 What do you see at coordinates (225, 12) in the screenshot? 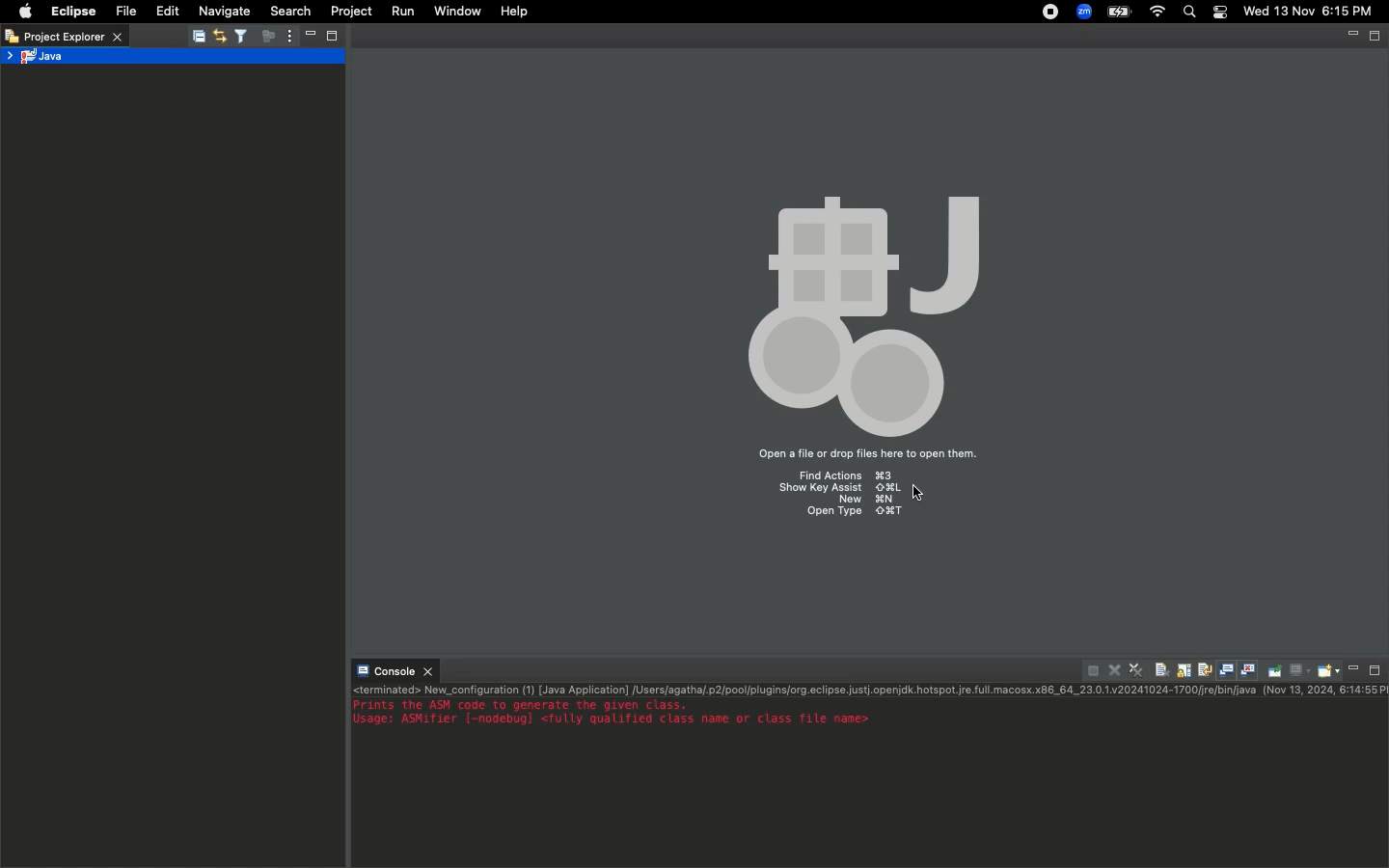
I see `Navigate` at bounding box center [225, 12].